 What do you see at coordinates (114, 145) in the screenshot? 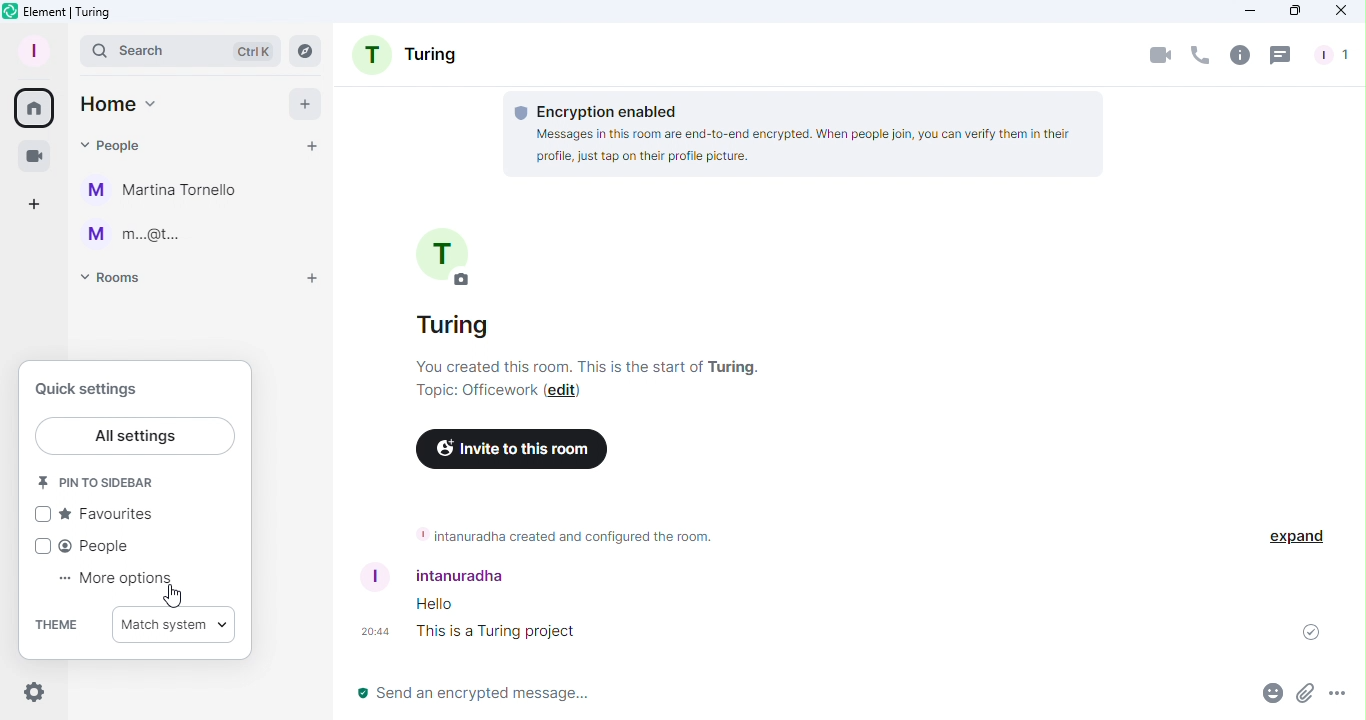
I see `People` at bounding box center [114, 145].